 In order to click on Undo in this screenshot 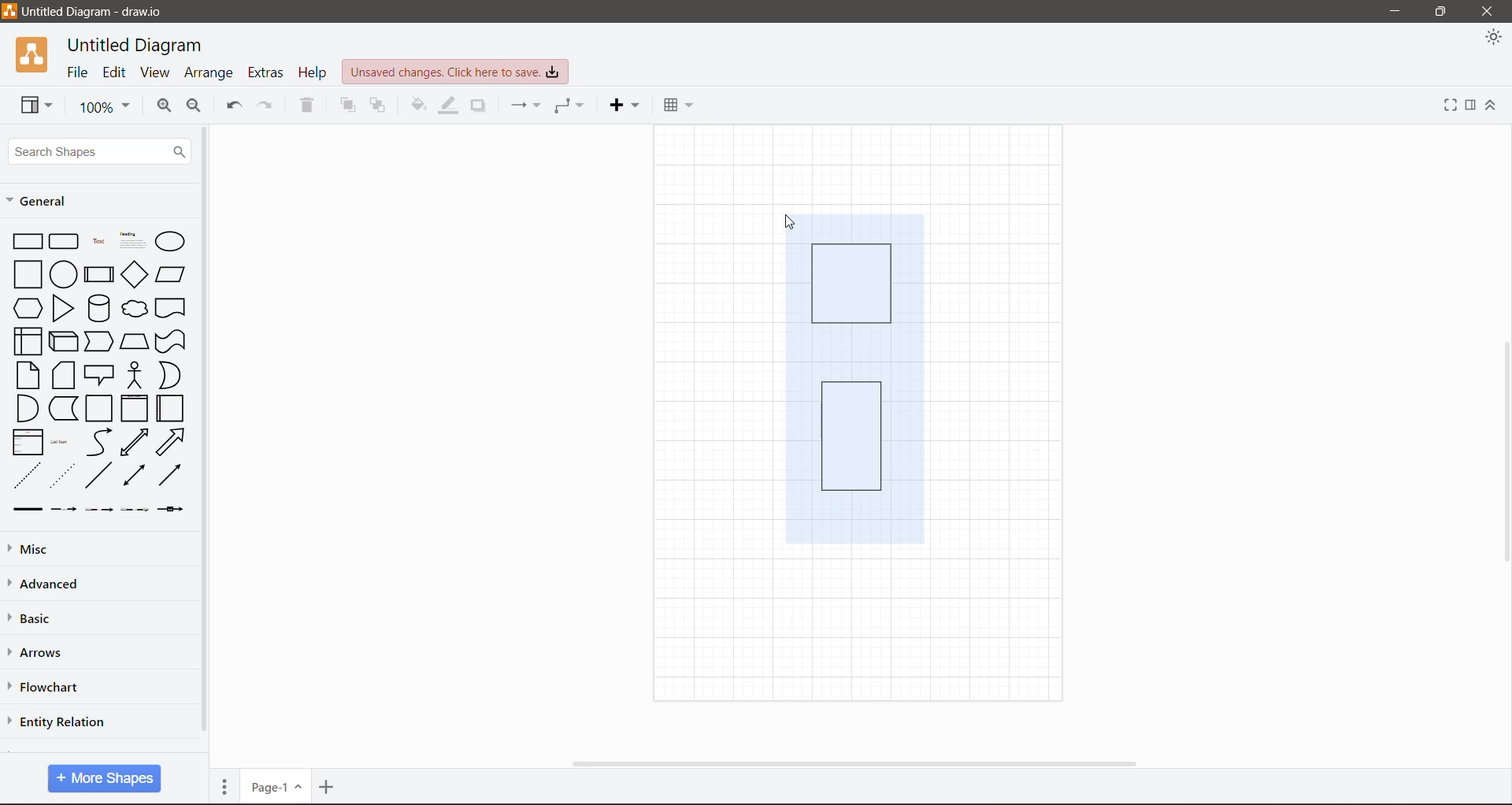, I will do `click(234, 106)`.